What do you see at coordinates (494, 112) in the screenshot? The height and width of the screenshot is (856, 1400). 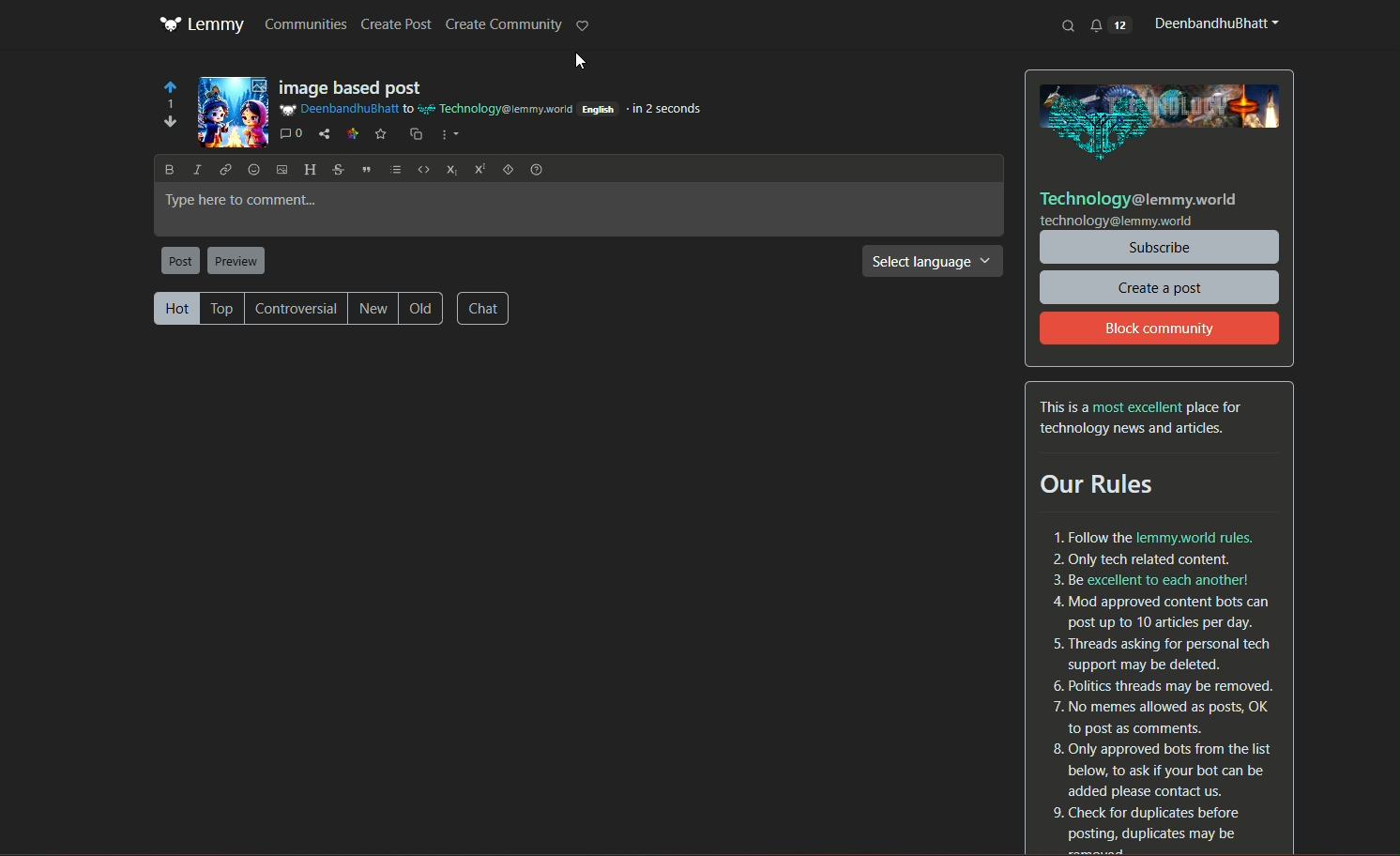 I see `DeenbandhuBhatt to ‘# Technology@lemmy.world English  - In 2 seconds` at bounding box center [494, 112].